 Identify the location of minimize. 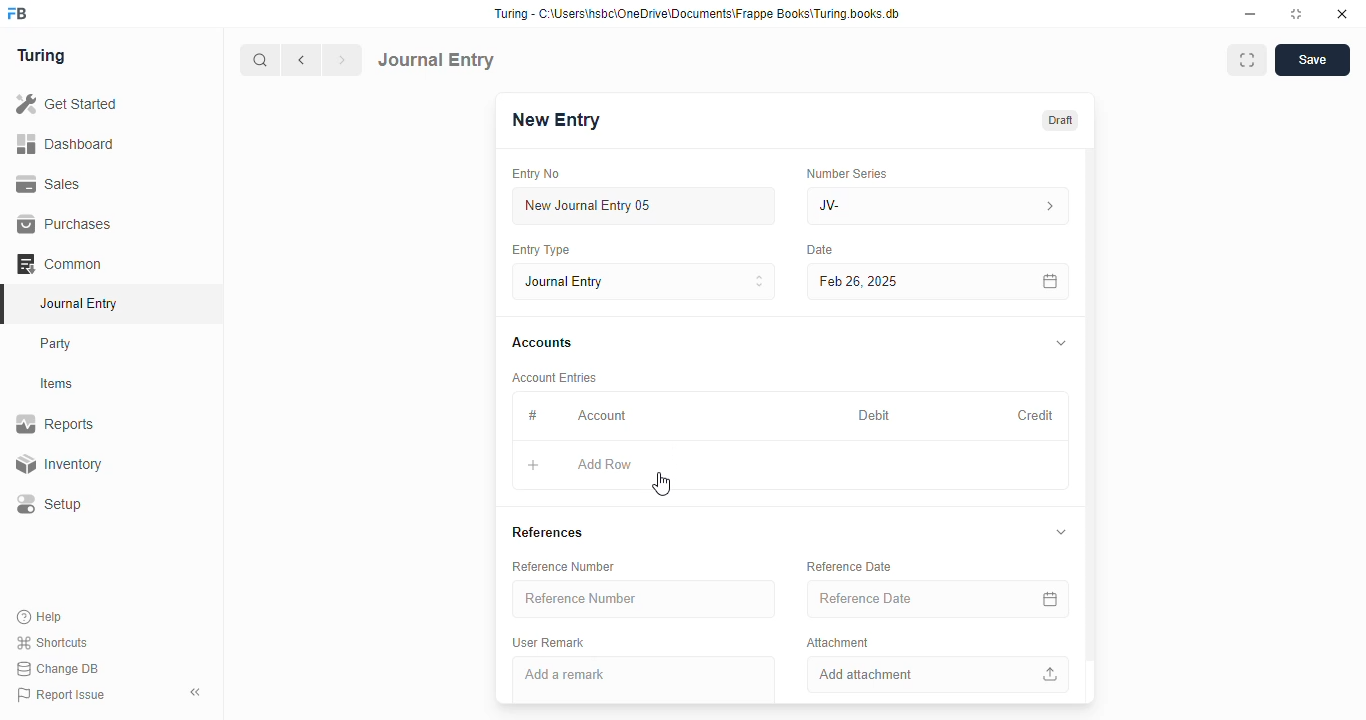
(1251, 14).